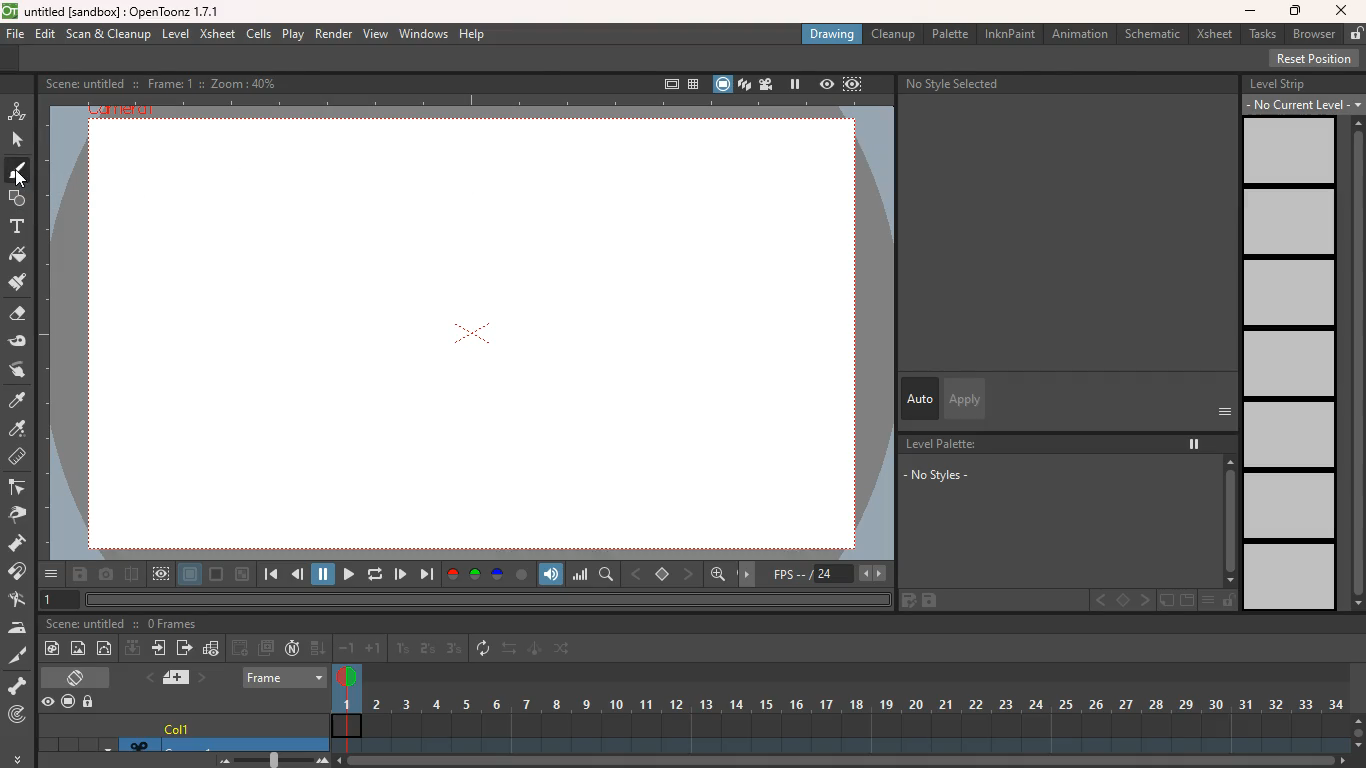  I want to click on refresh, so click(372, 574).